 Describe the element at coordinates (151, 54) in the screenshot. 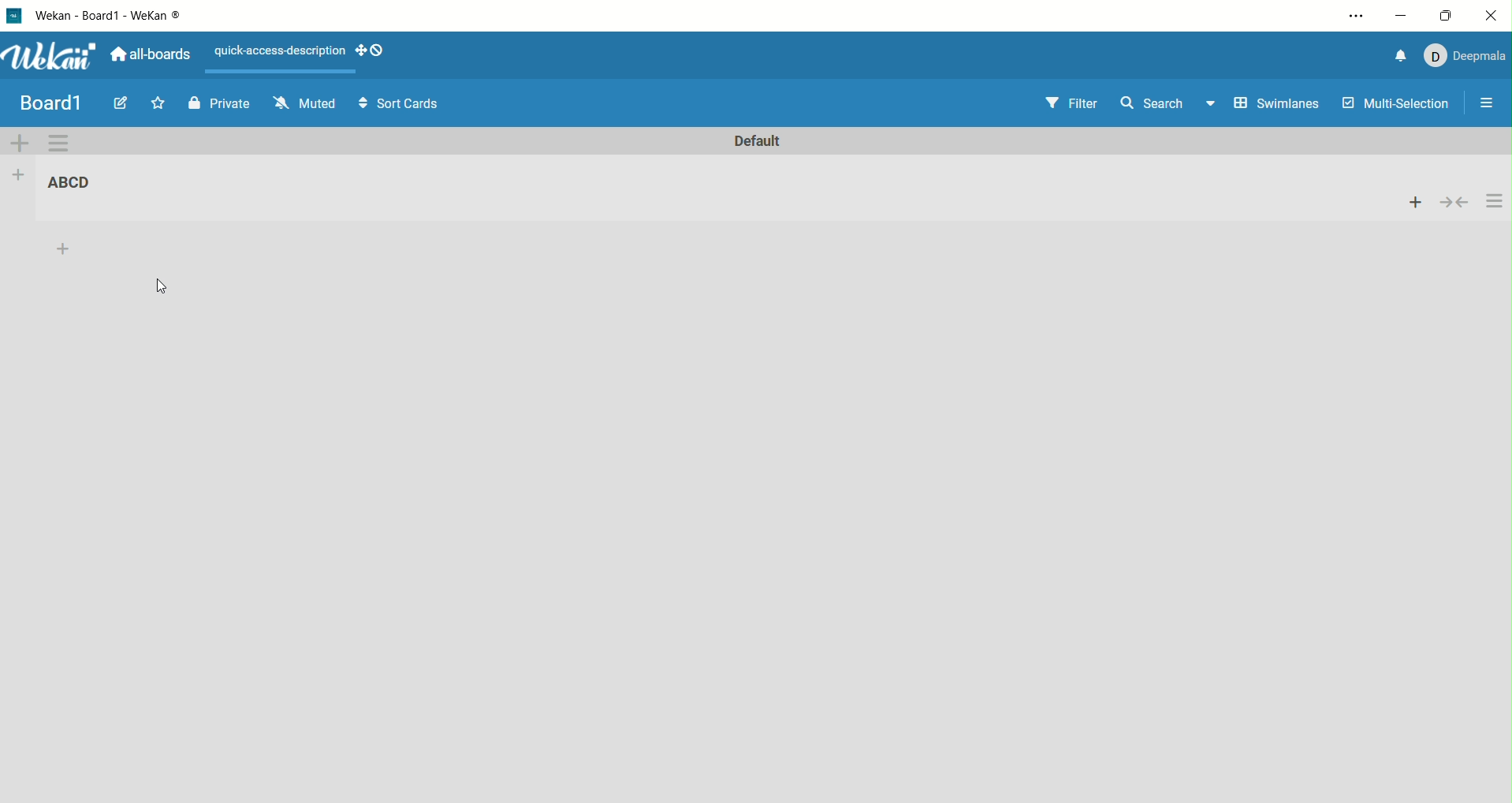

I see `all boards` at that location.